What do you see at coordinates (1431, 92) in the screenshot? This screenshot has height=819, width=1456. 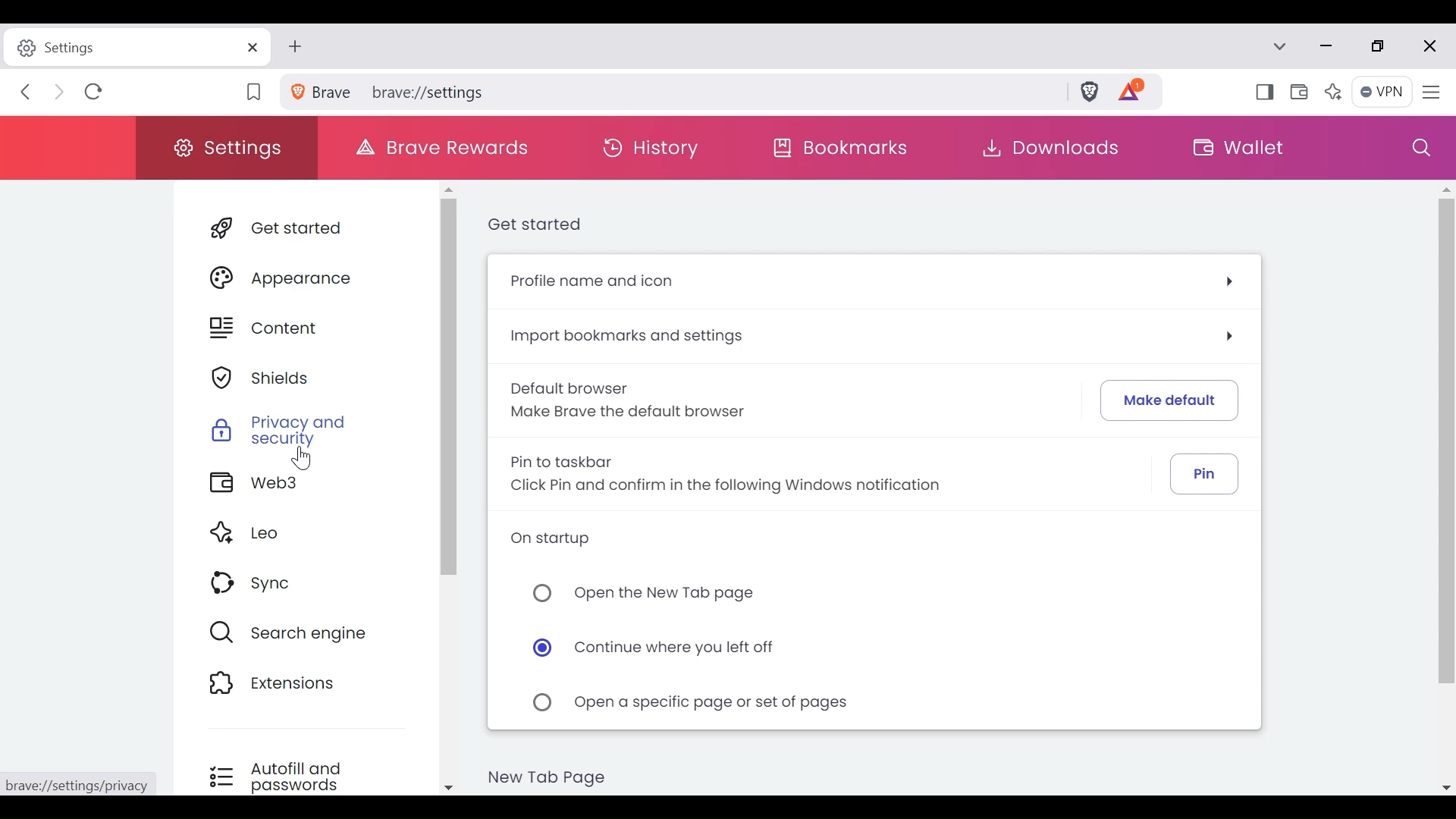 I see `Customize and Control` at bounding box center [1431, 92].